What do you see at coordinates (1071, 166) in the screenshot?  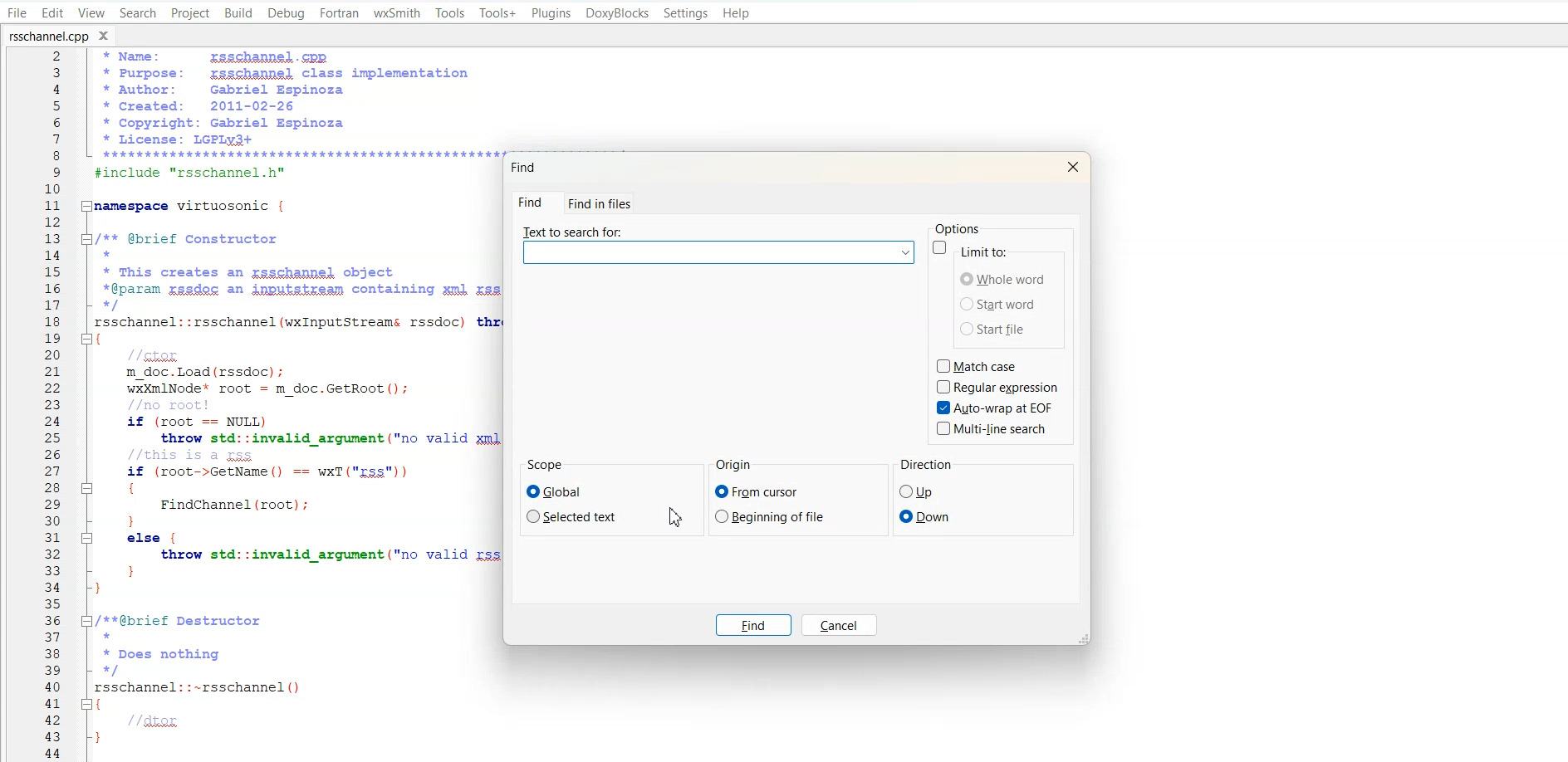 I see `Close` at bounding box center [1071, 166].